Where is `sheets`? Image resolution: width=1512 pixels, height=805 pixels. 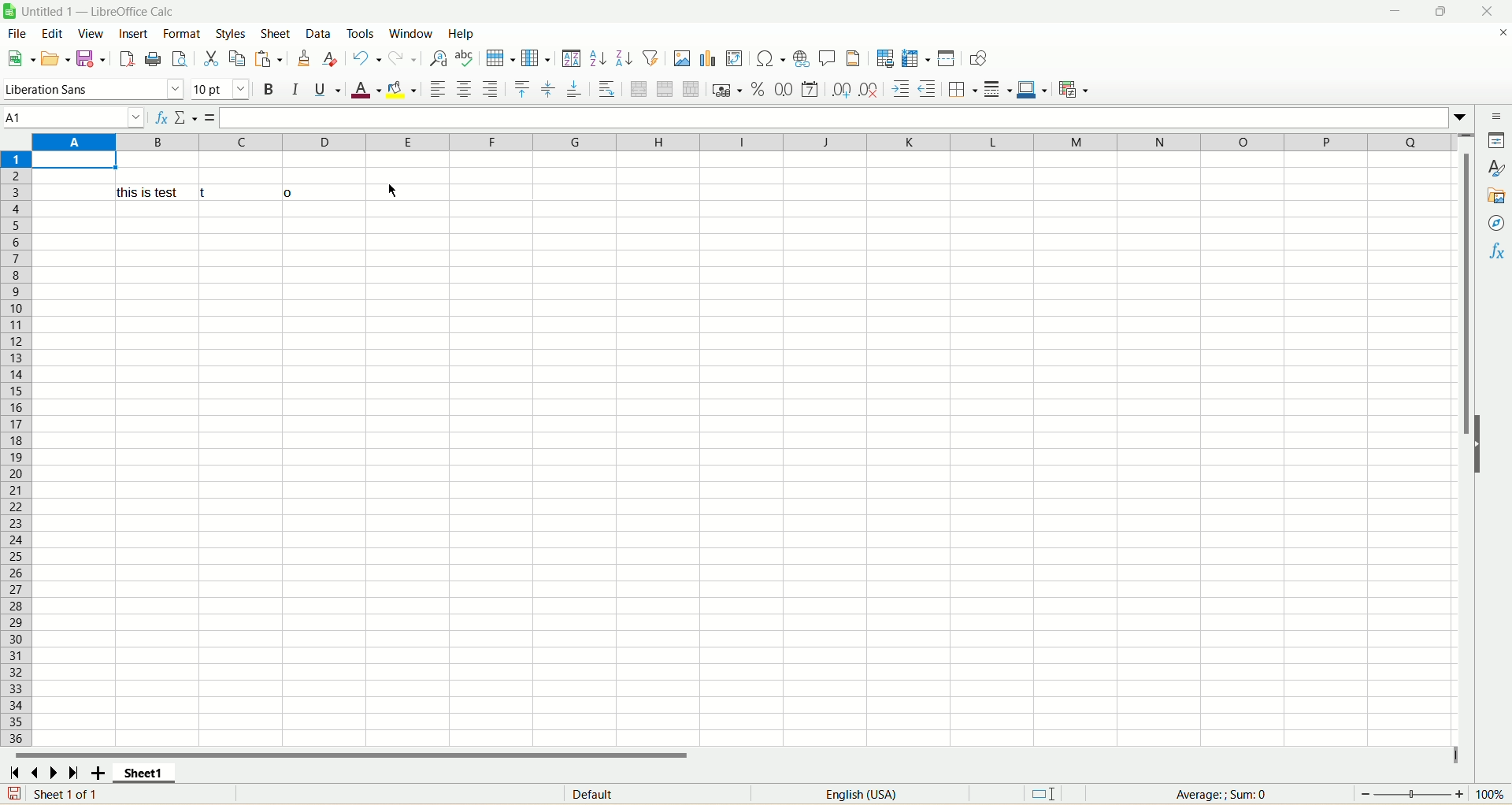 sheets is located at coordinates (276, 32).